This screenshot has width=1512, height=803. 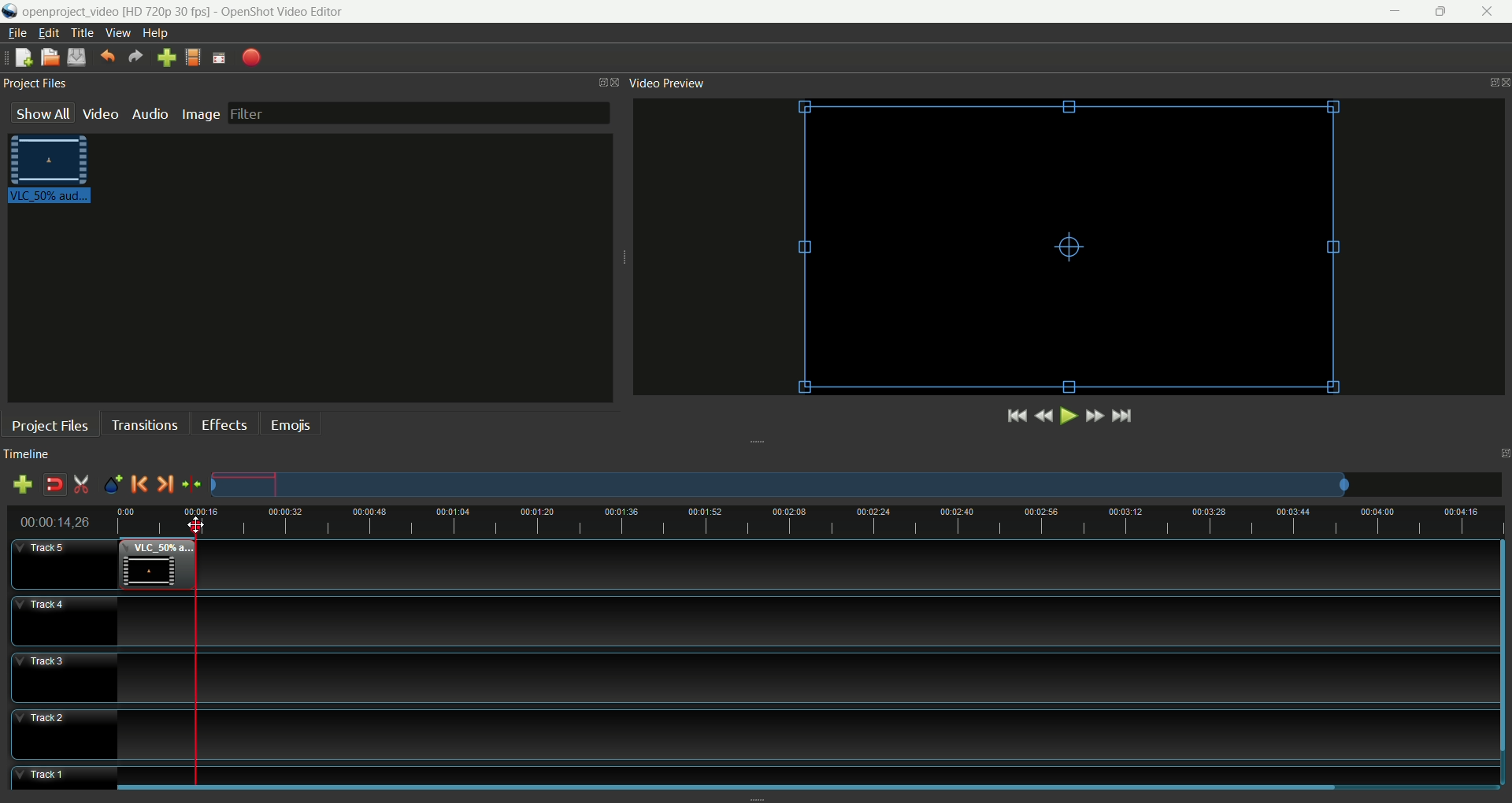 What do you see at coordinates (1094, 416) in the screenshot?
I see `fast forward` at bounding box center [1094, 416].